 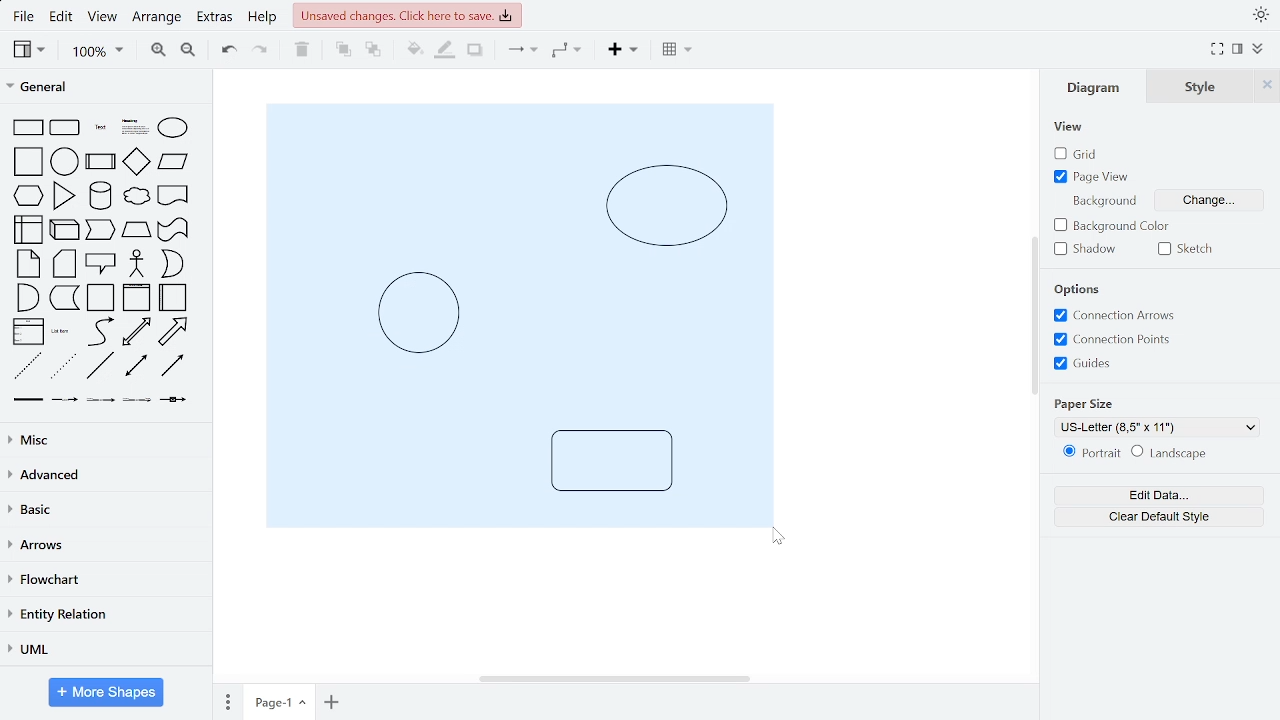 What do you see at coordinates (1211, 198) in the screenshot?
I see `change background` at bounding box center [1211, 198].